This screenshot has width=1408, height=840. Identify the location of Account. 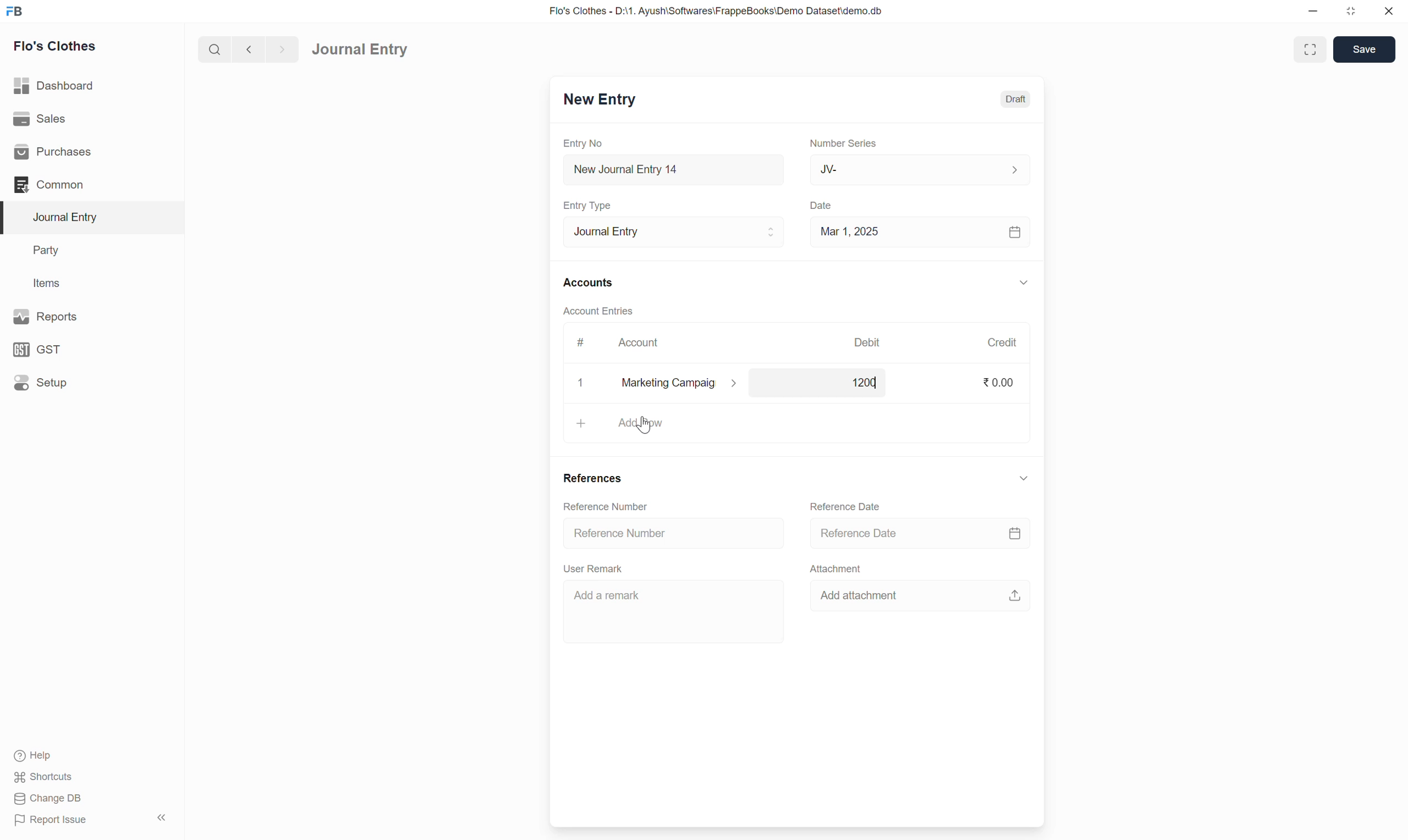
(640, 342).